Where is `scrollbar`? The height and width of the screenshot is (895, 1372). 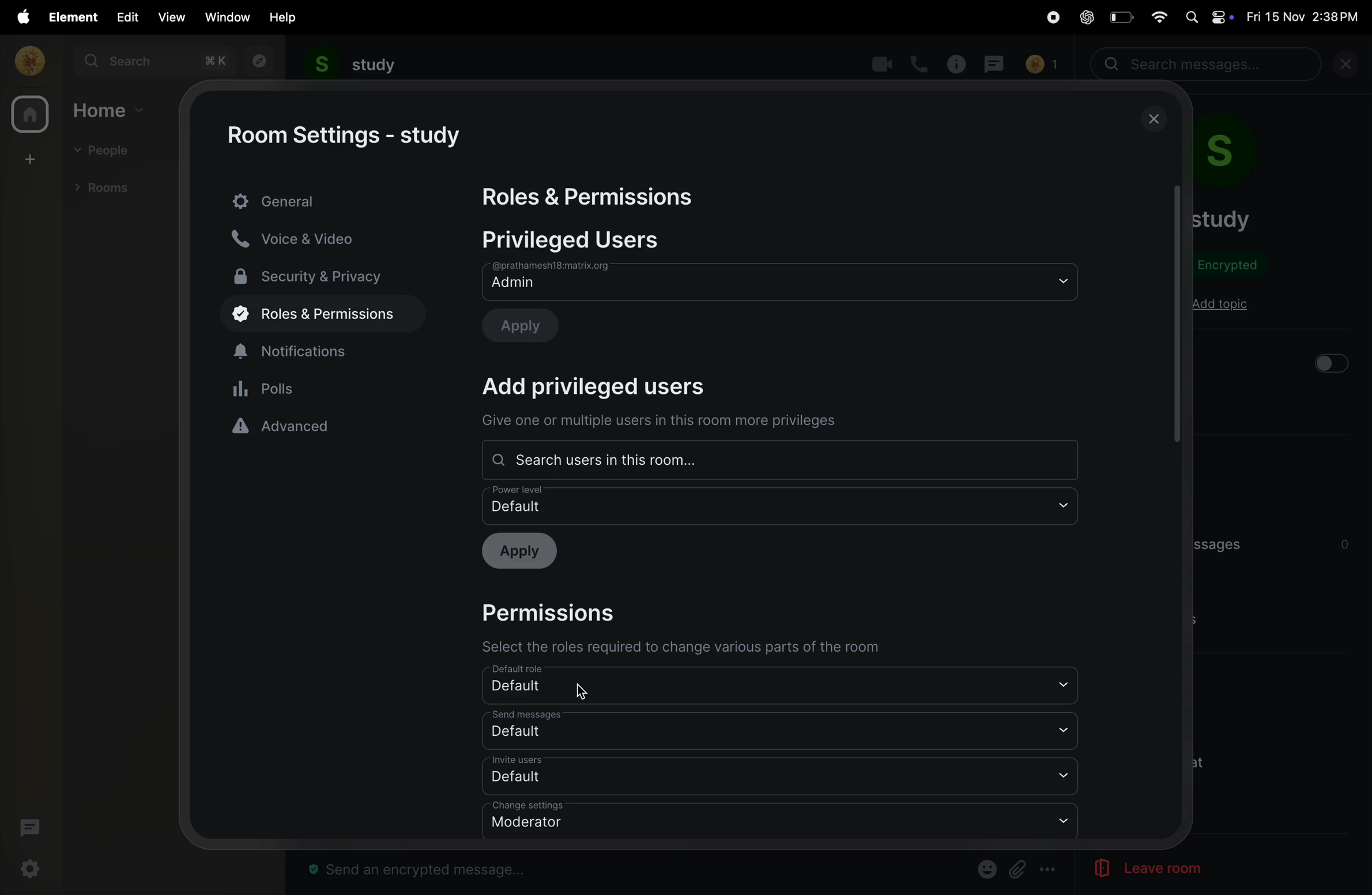
scrollbar is located at coordinates (1177, 313).